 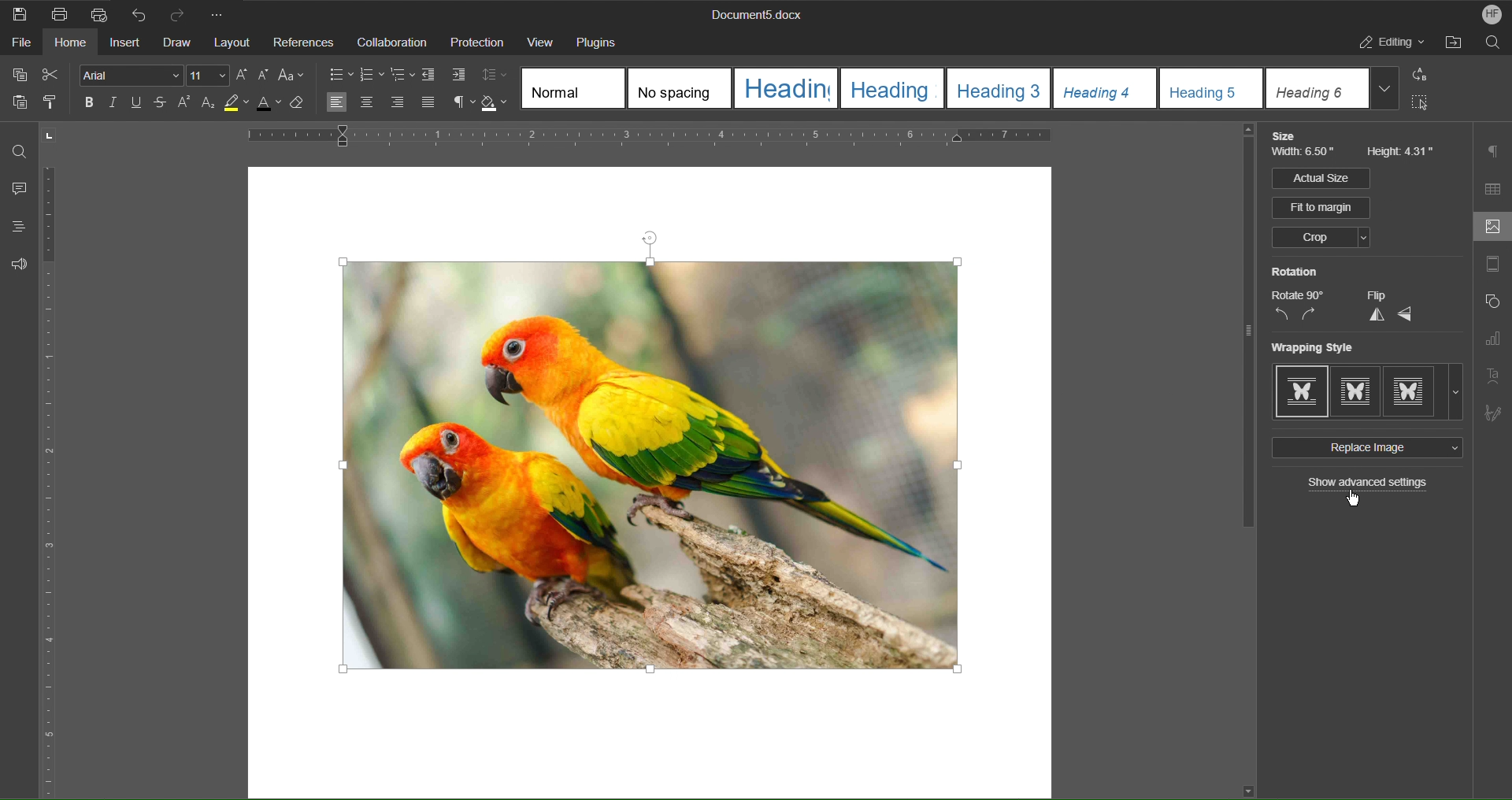 I want to click on Rotate CW, so click(x=1310, y=315).